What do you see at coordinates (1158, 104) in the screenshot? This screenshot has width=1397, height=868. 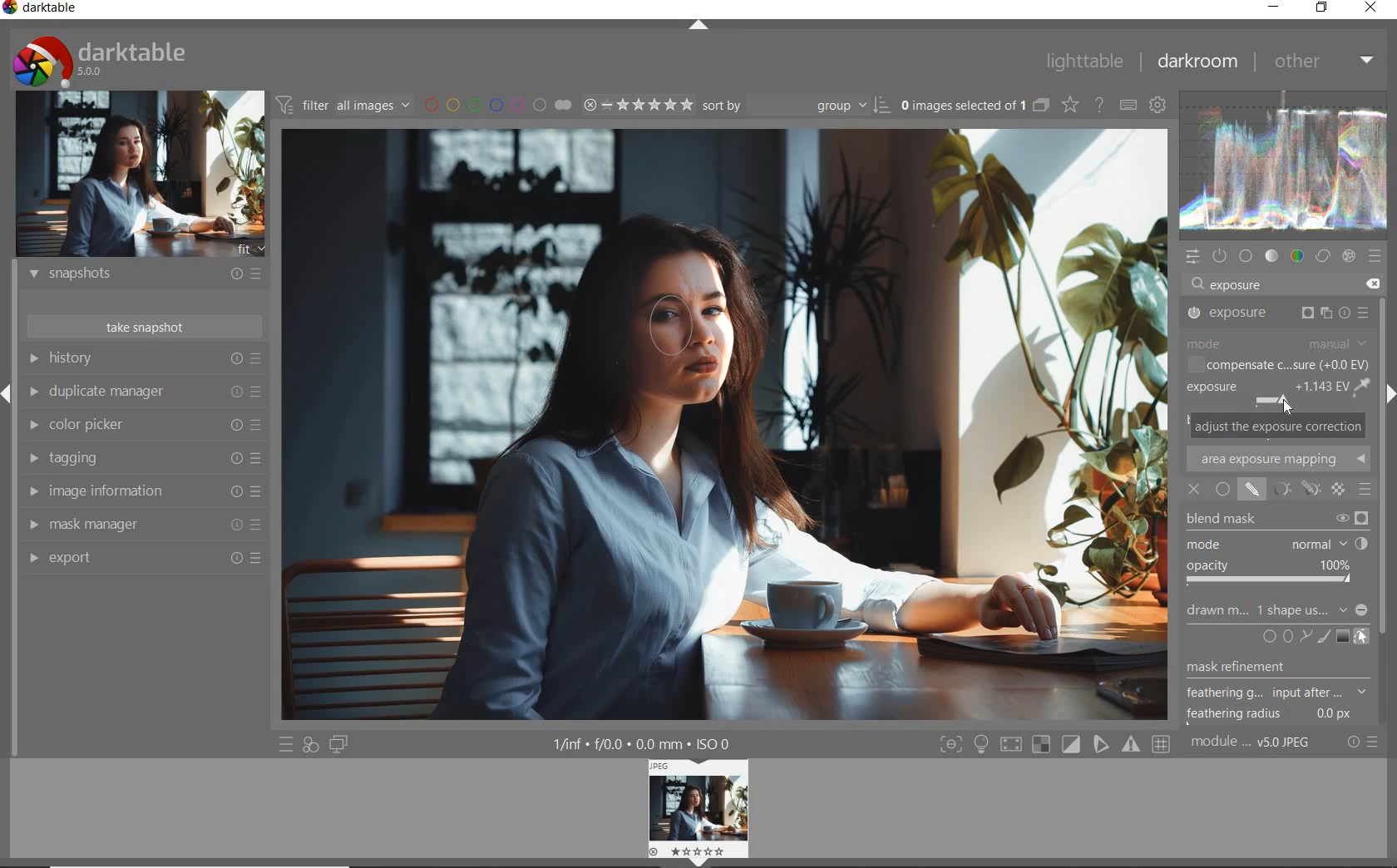 I see `show global preferences` at bounding box center [1158, 104].